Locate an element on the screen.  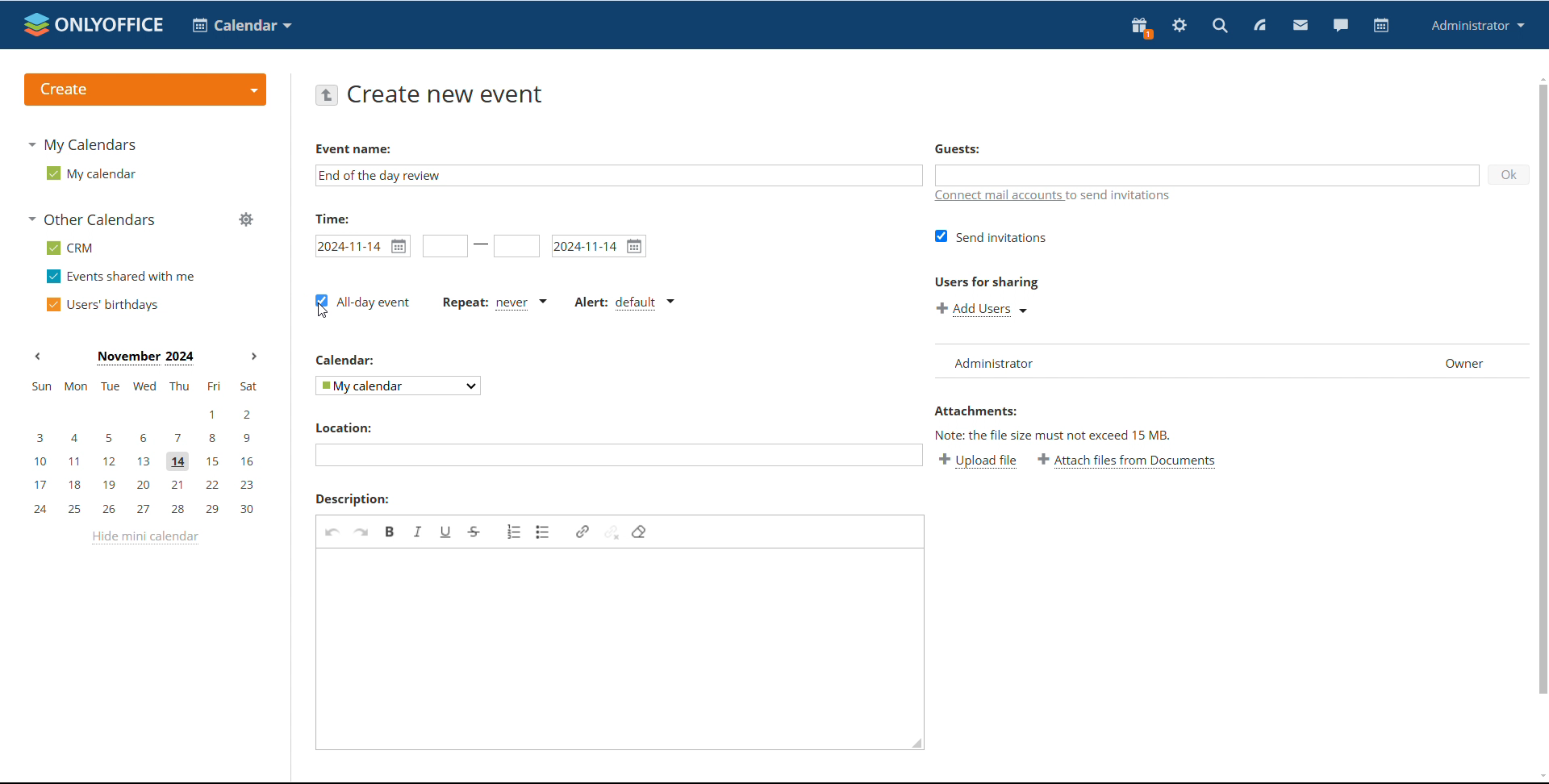
list of users is located at coordinates (1126, 361).